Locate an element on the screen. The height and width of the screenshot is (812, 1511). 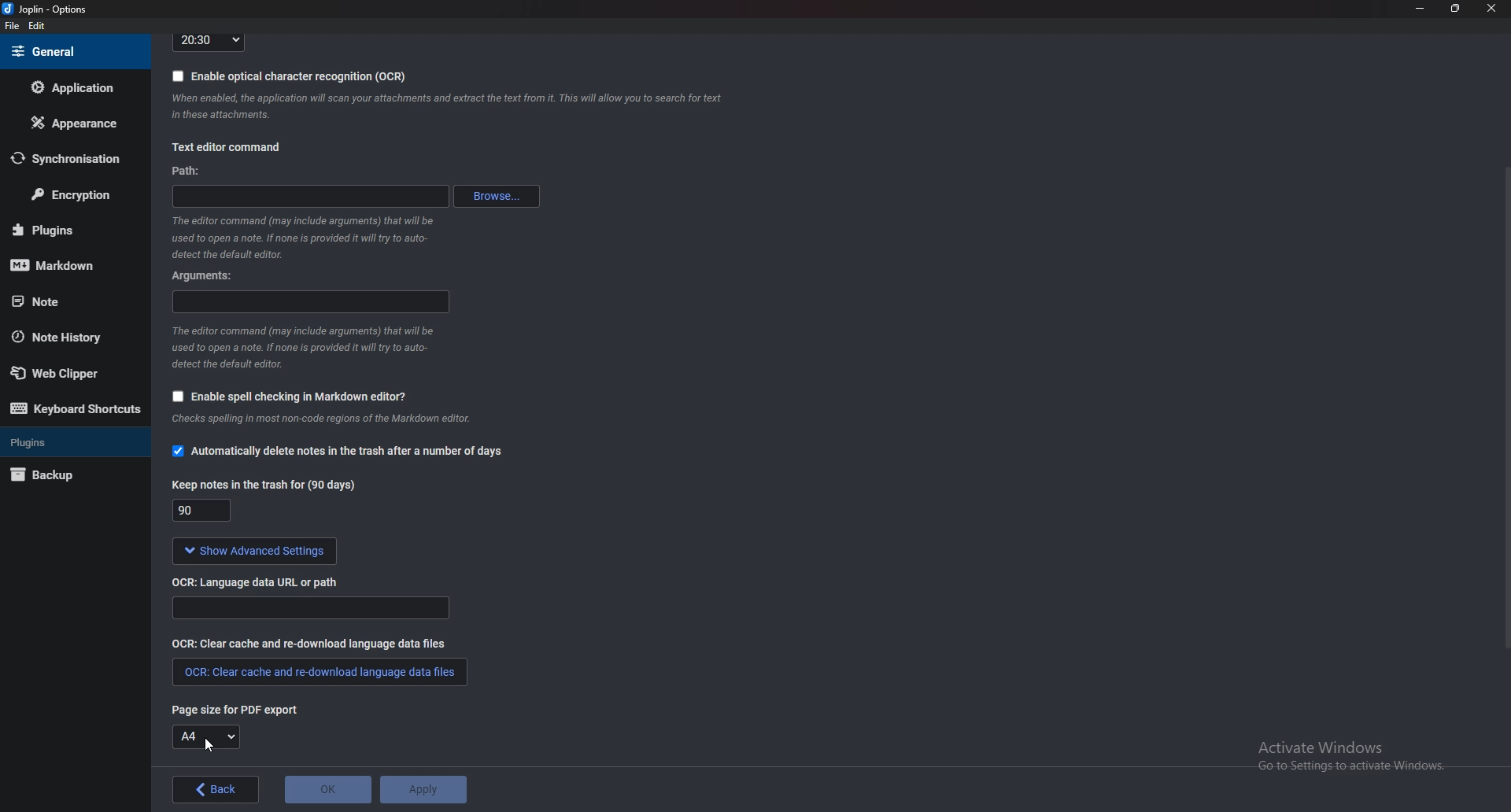
path is located at coordinates (316, 194).